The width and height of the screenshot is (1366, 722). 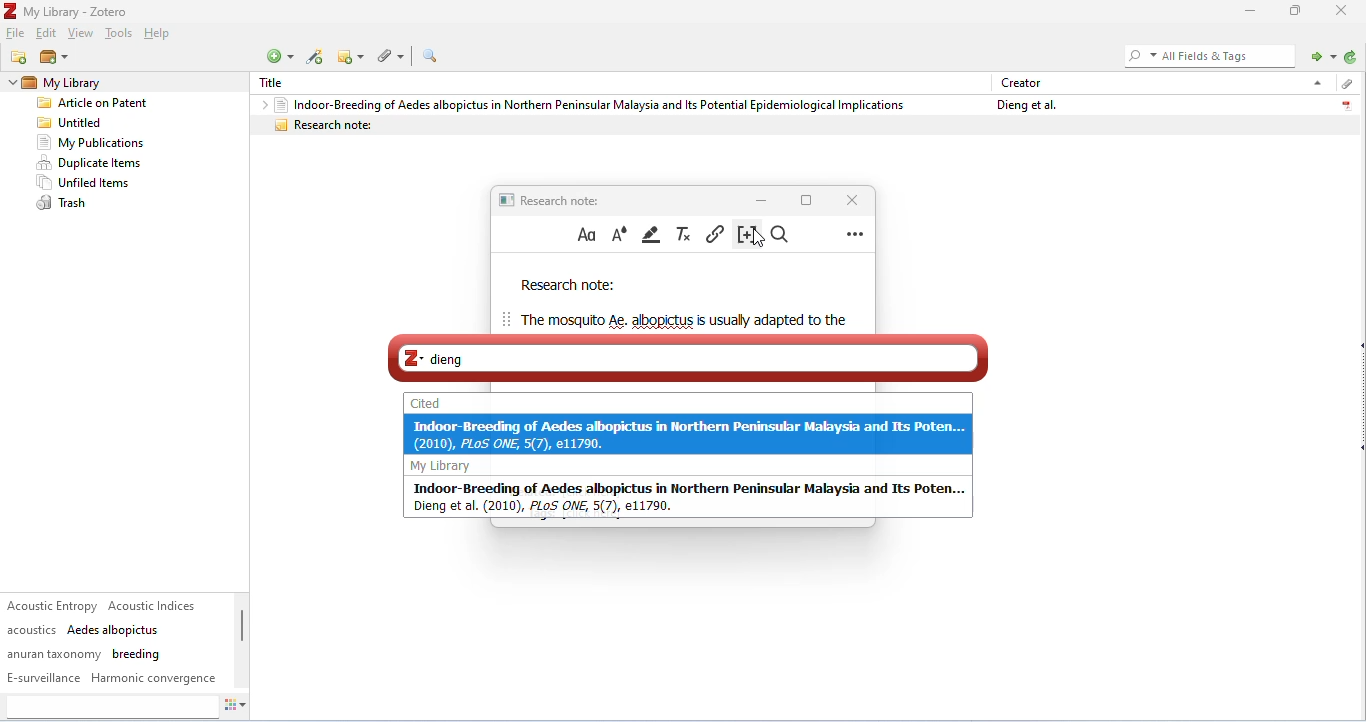 What do you see at coordinates (160, 35) in the screenshot?
I see `help` at bounding box center [160, 35].